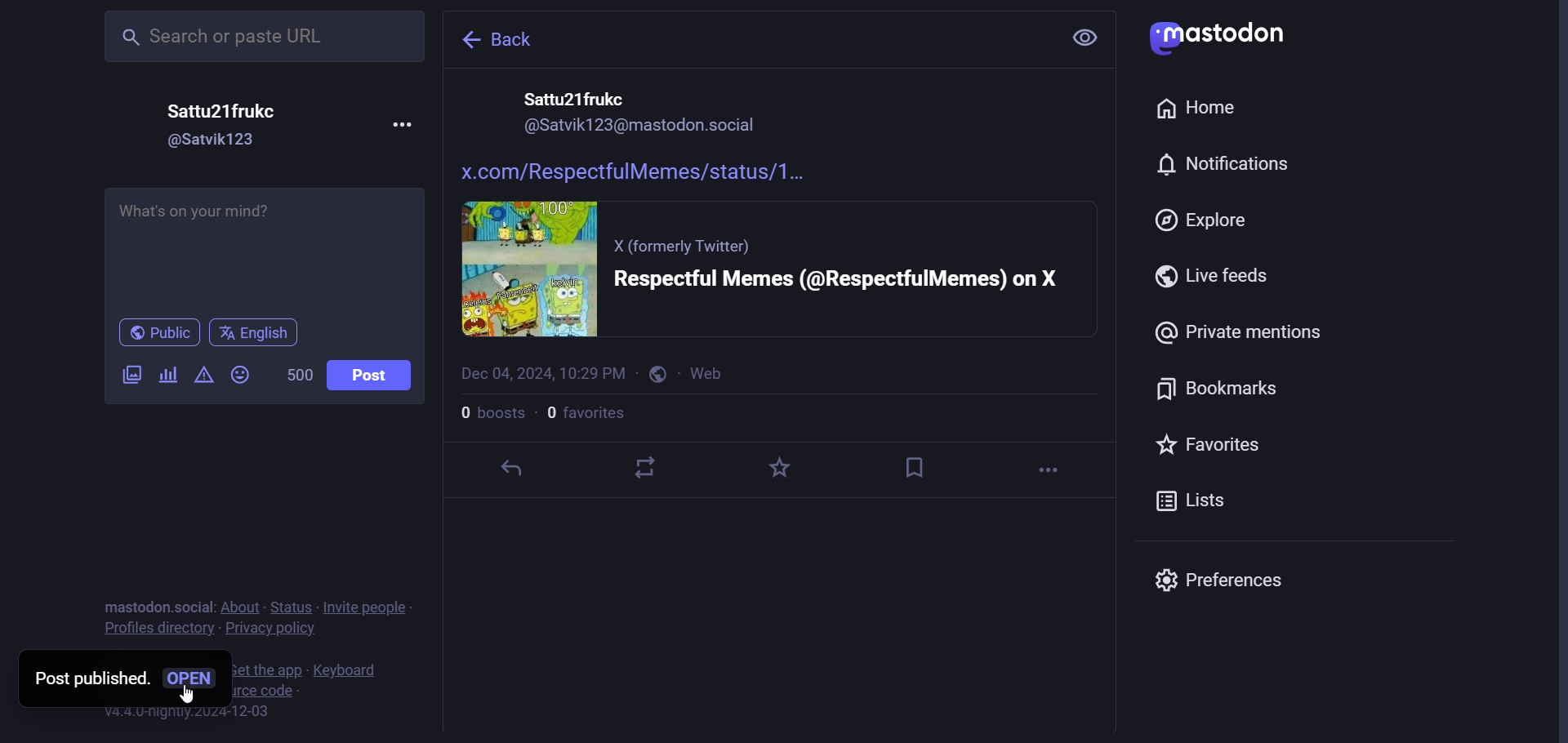  I want to click on explore, so click(1196, 222).